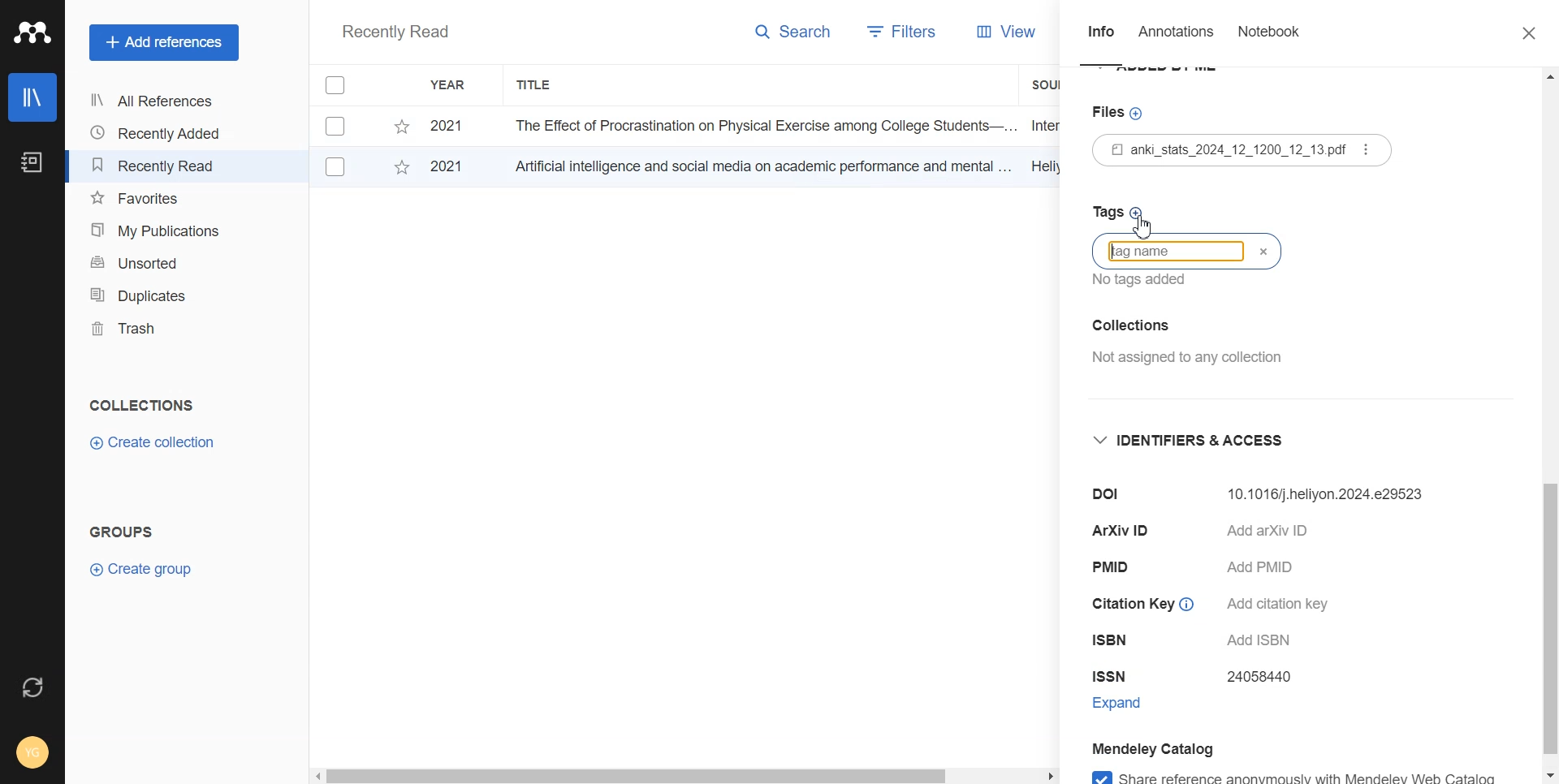 This screenshot has width=1559, height=784. I want to click on Add references, so click(164, 43).